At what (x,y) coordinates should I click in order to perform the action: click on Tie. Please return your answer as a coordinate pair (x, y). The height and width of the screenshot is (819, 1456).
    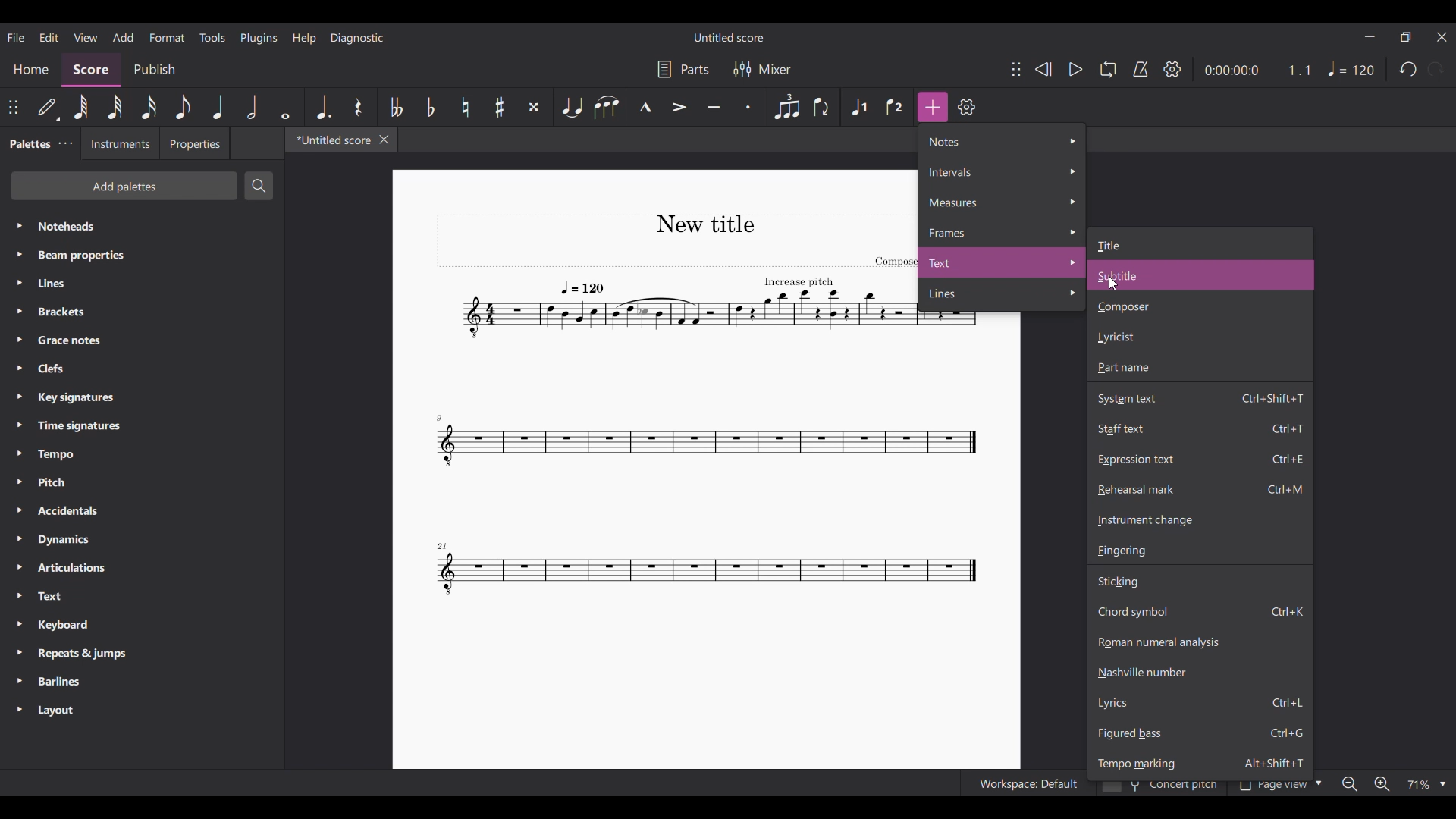
    Looking at the image, I should click on (571, 107).